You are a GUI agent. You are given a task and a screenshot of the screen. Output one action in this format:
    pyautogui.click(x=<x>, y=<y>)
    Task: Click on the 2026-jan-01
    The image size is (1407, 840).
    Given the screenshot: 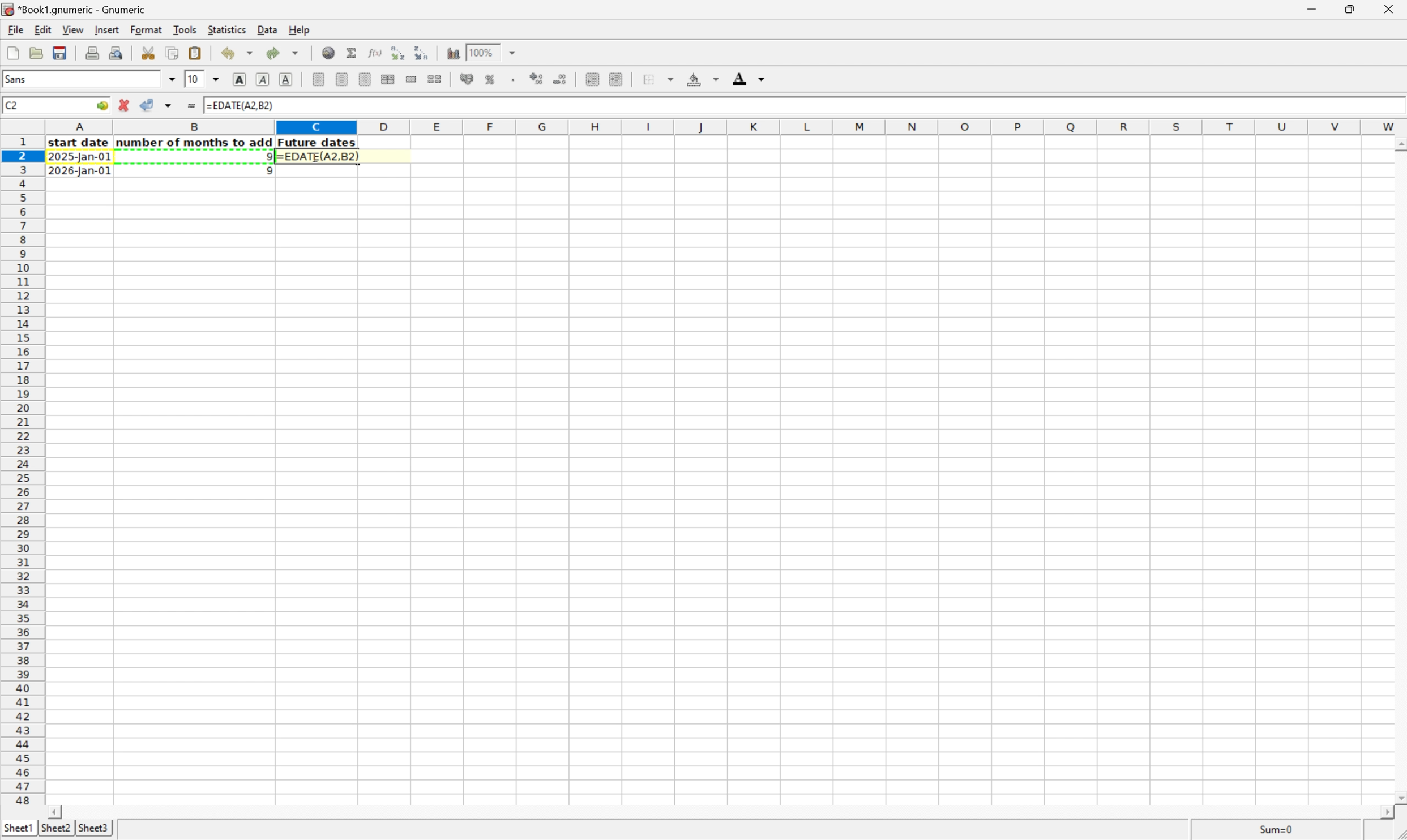 What is the action you would take?
    pyautogui.click(x=79, y=172)
    